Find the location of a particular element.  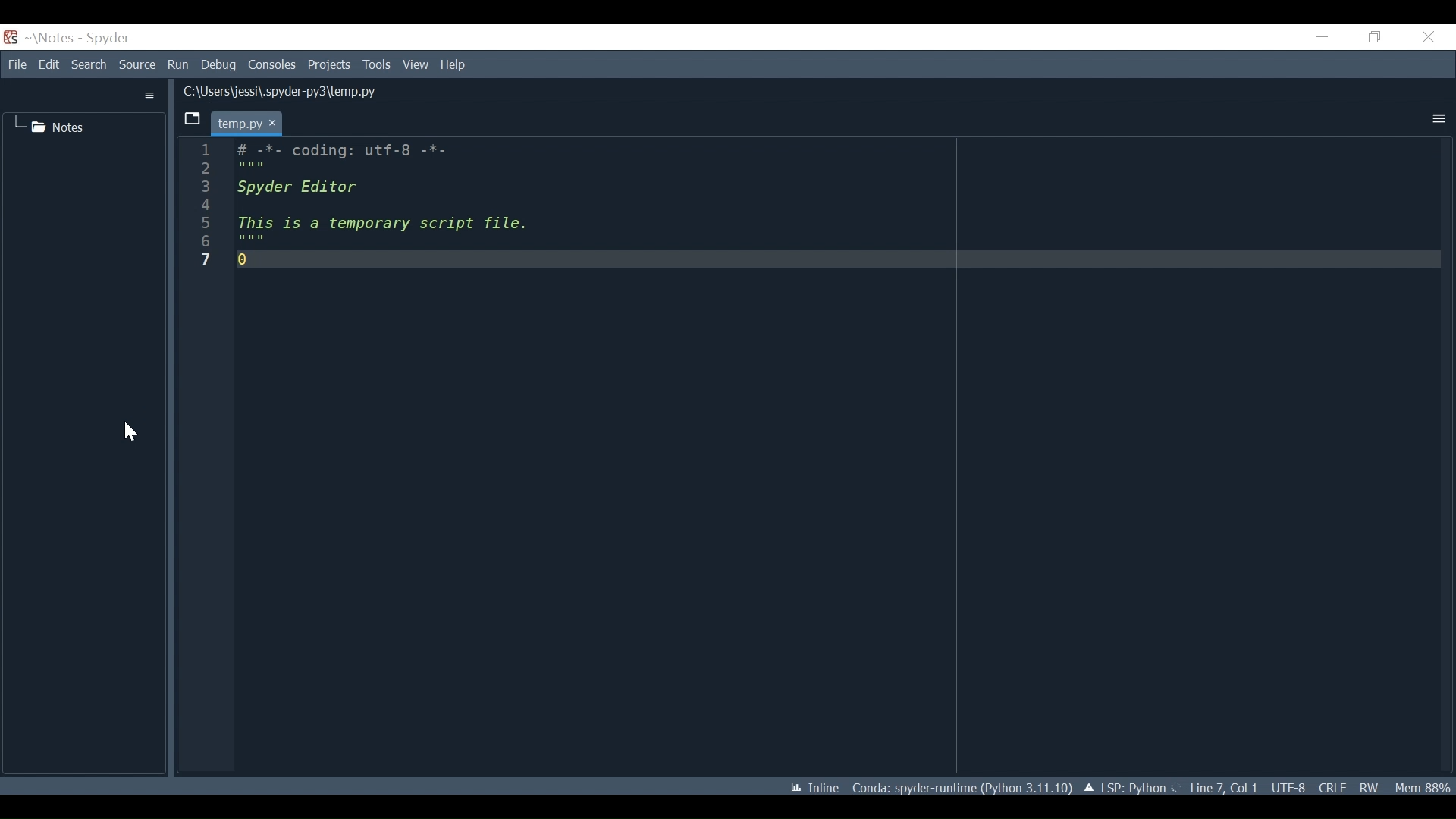

File Path is located at coordinates (278, 90).